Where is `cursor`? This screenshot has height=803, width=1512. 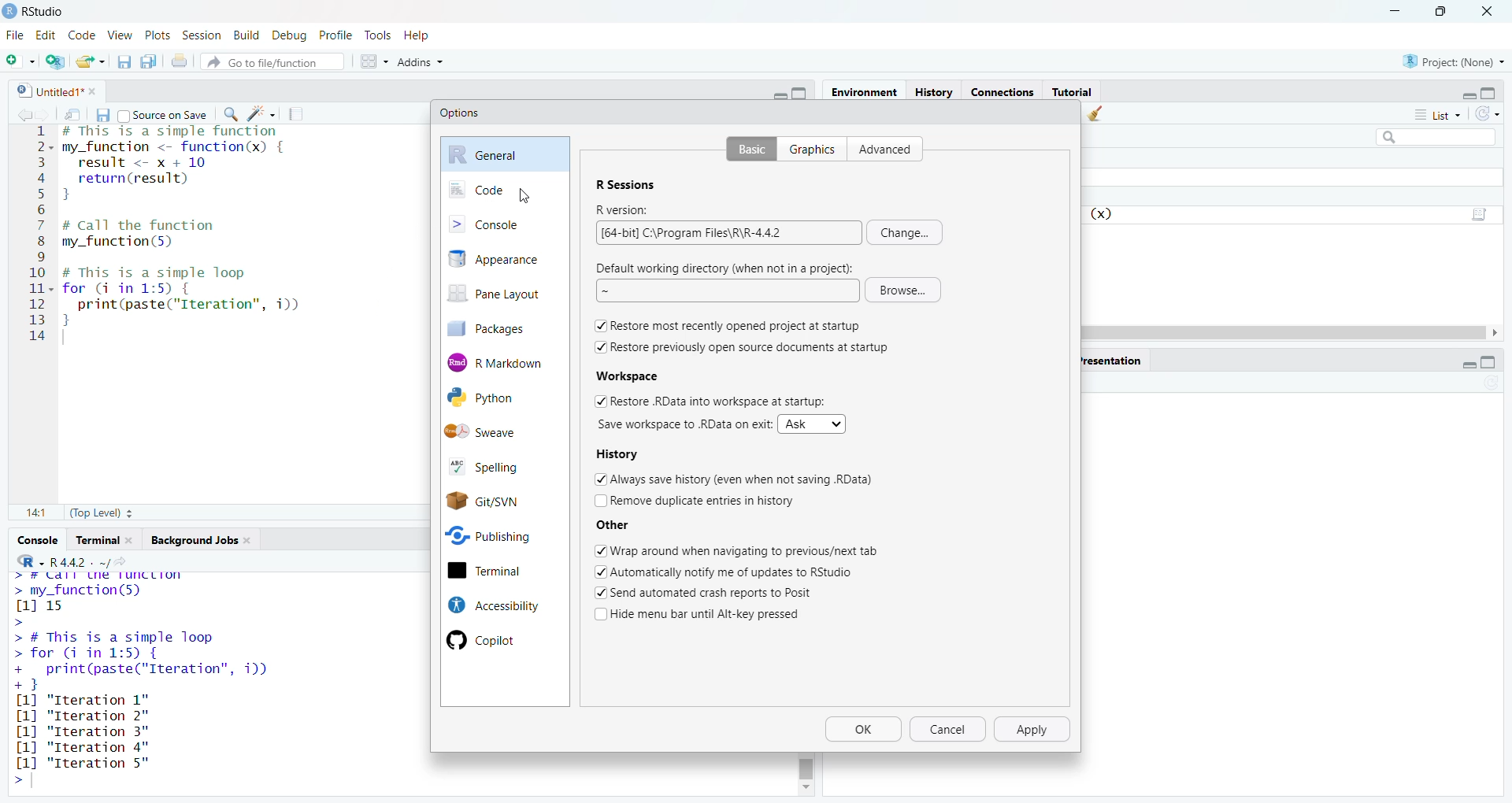 cursor is located at coordinates (526, 194).